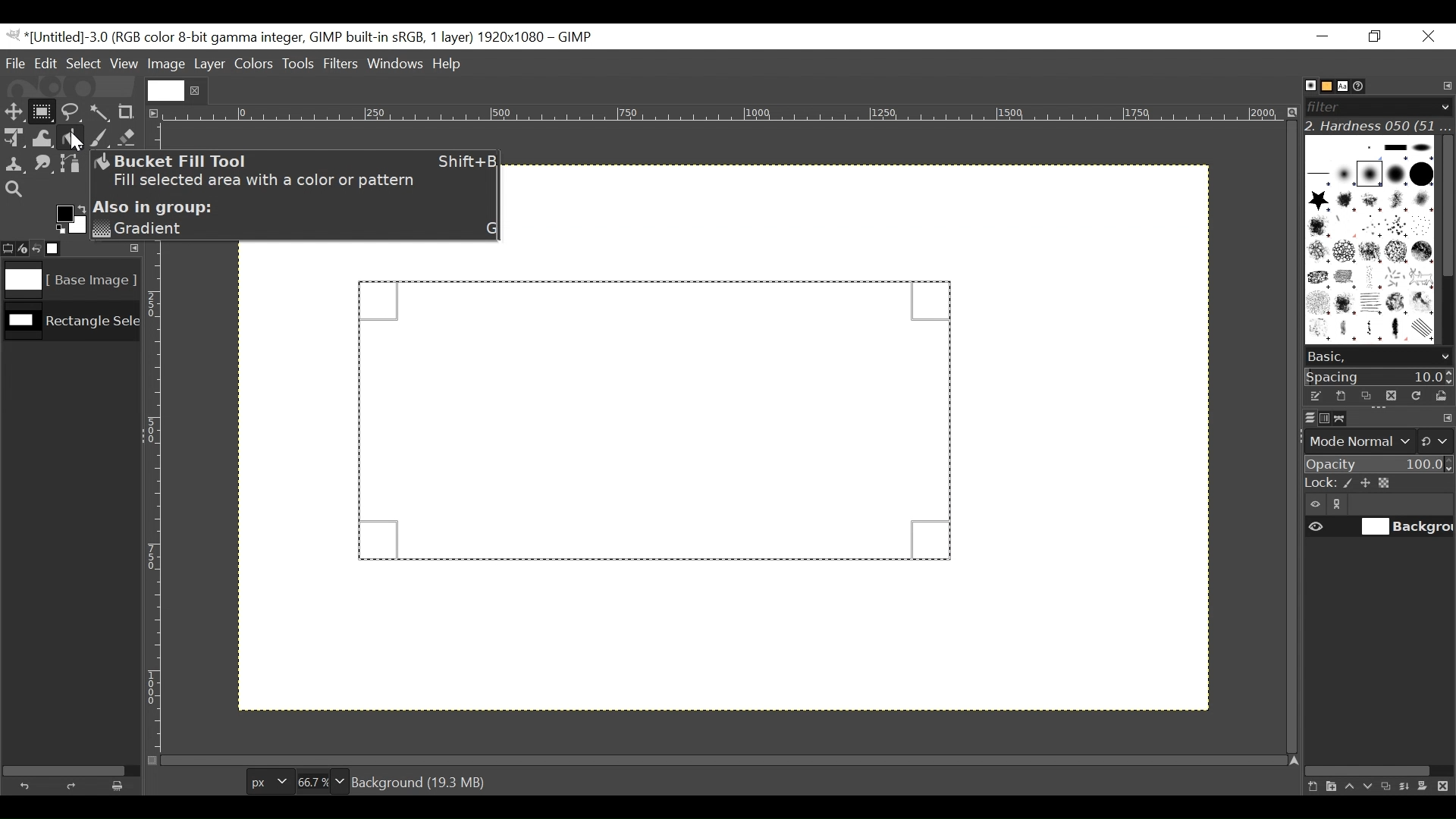  I want to click on Undo last action, so click(37, 248).